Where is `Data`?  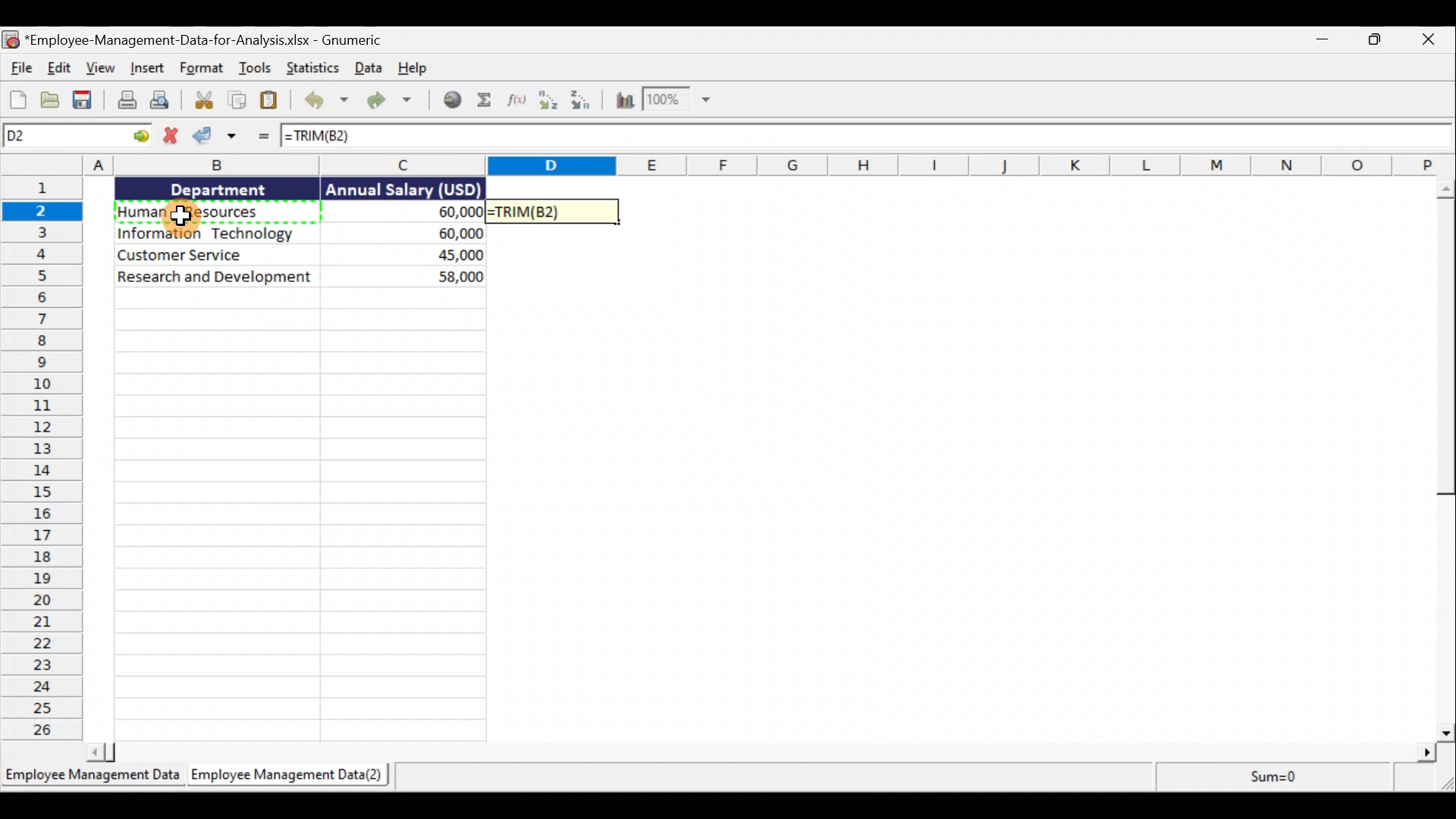 Data is located at coordinates (367, 68).